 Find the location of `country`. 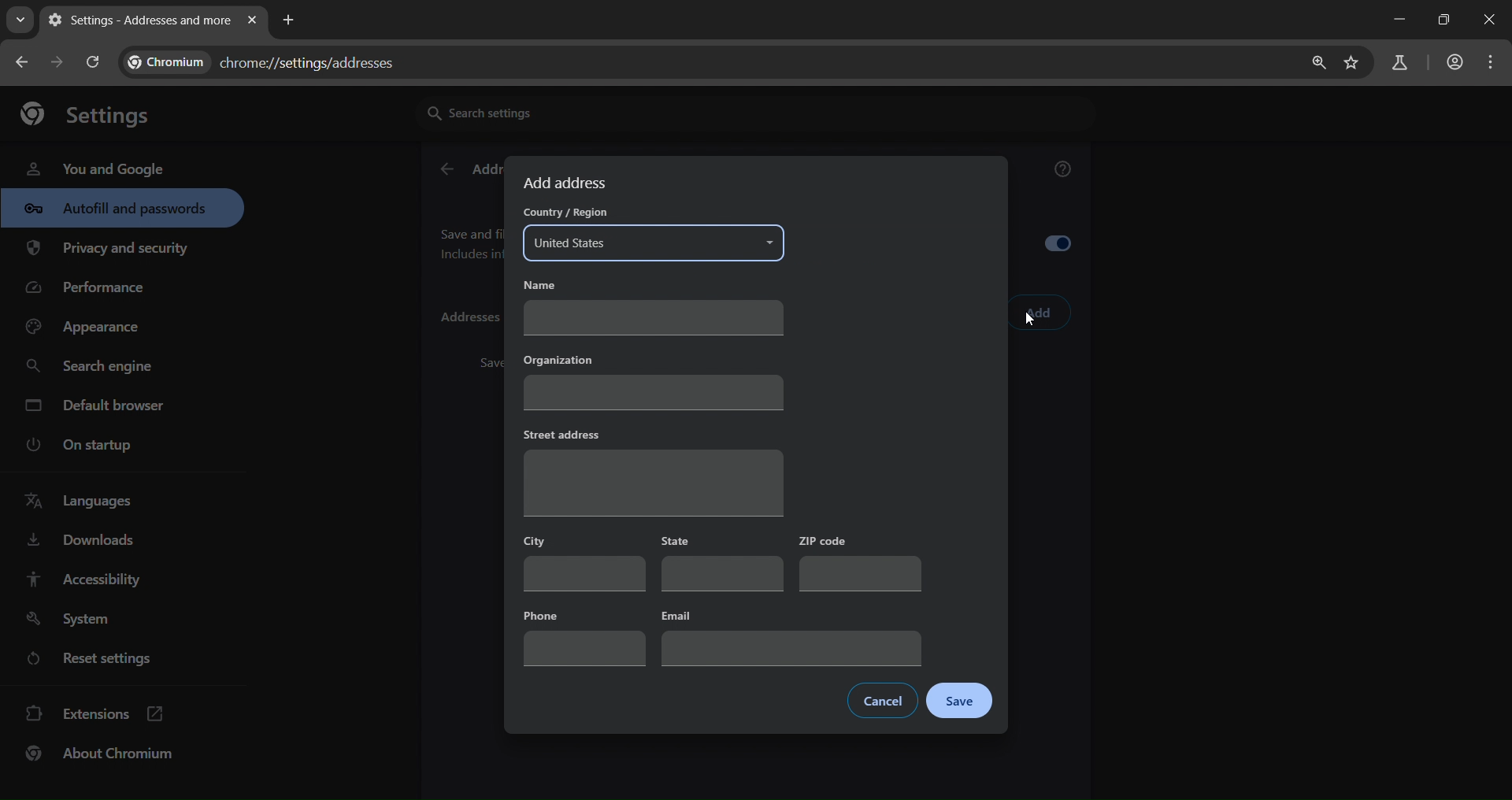

country is located at coordinates (656, 232).